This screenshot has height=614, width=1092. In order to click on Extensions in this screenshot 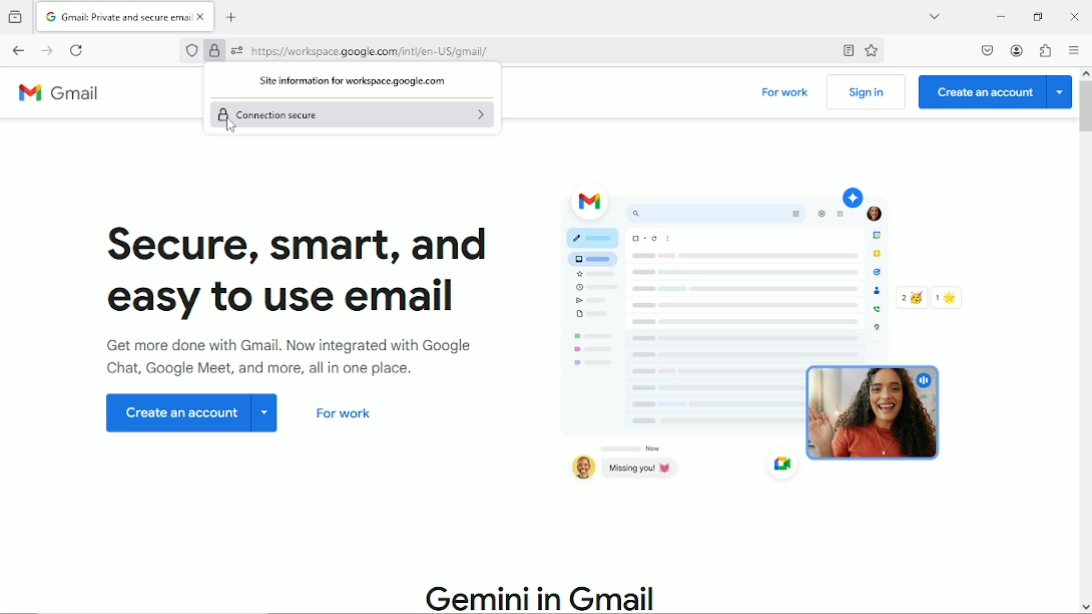, I will do `click(1045, 50)`.